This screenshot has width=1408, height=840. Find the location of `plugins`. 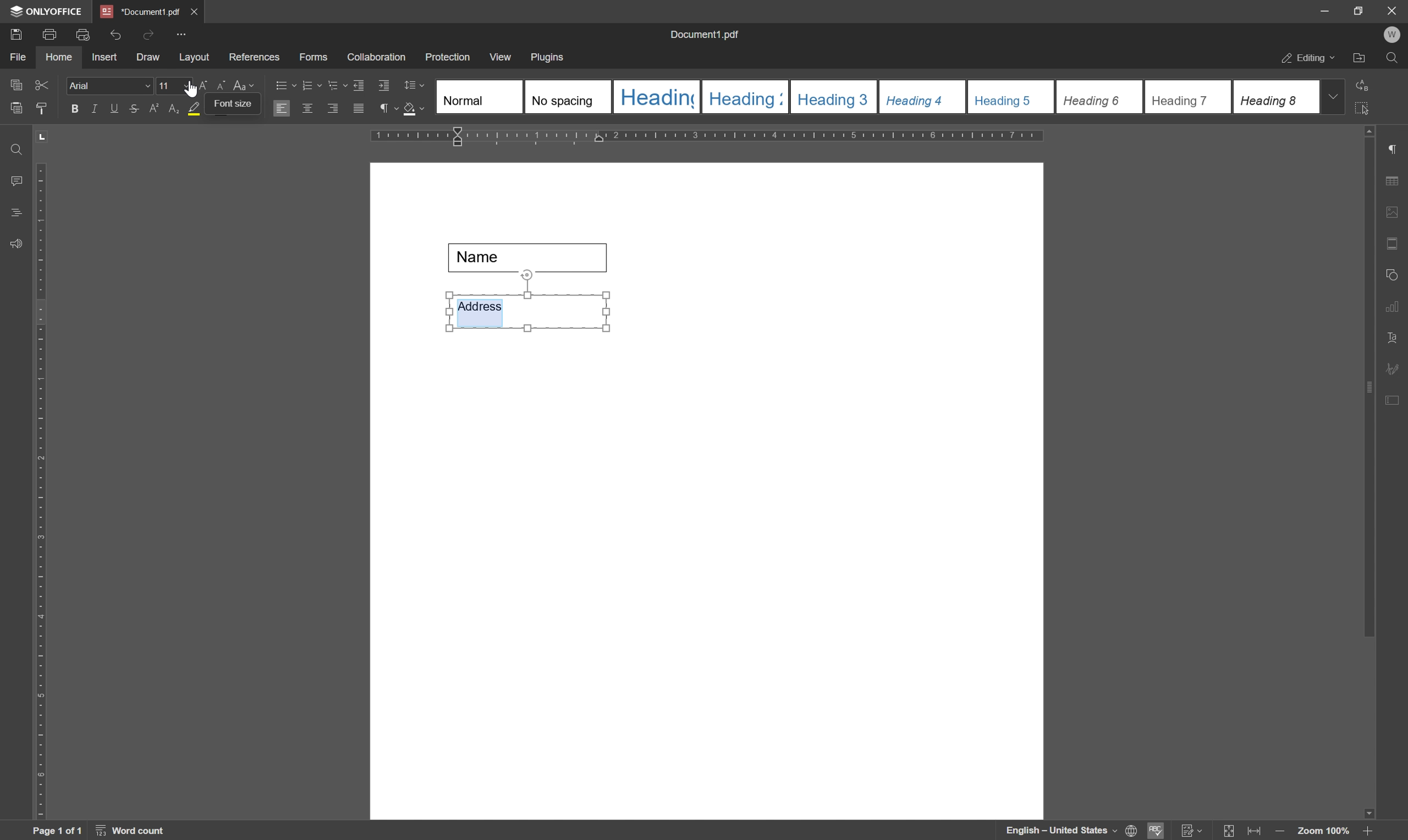

plugins is located at coordinates (549, 58).